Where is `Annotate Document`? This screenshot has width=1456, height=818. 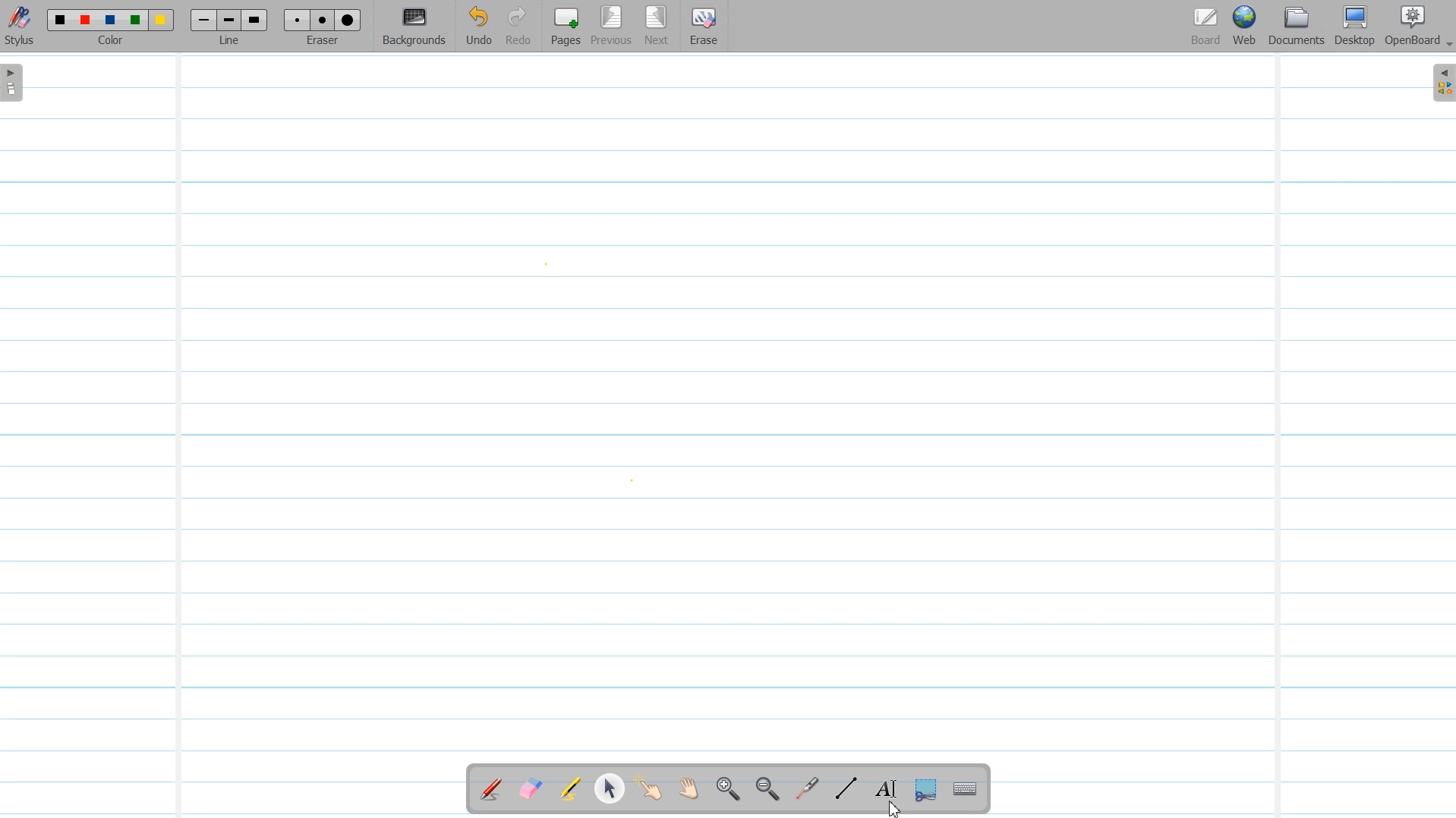 Annotate Document is located at coordinates (491, 789).